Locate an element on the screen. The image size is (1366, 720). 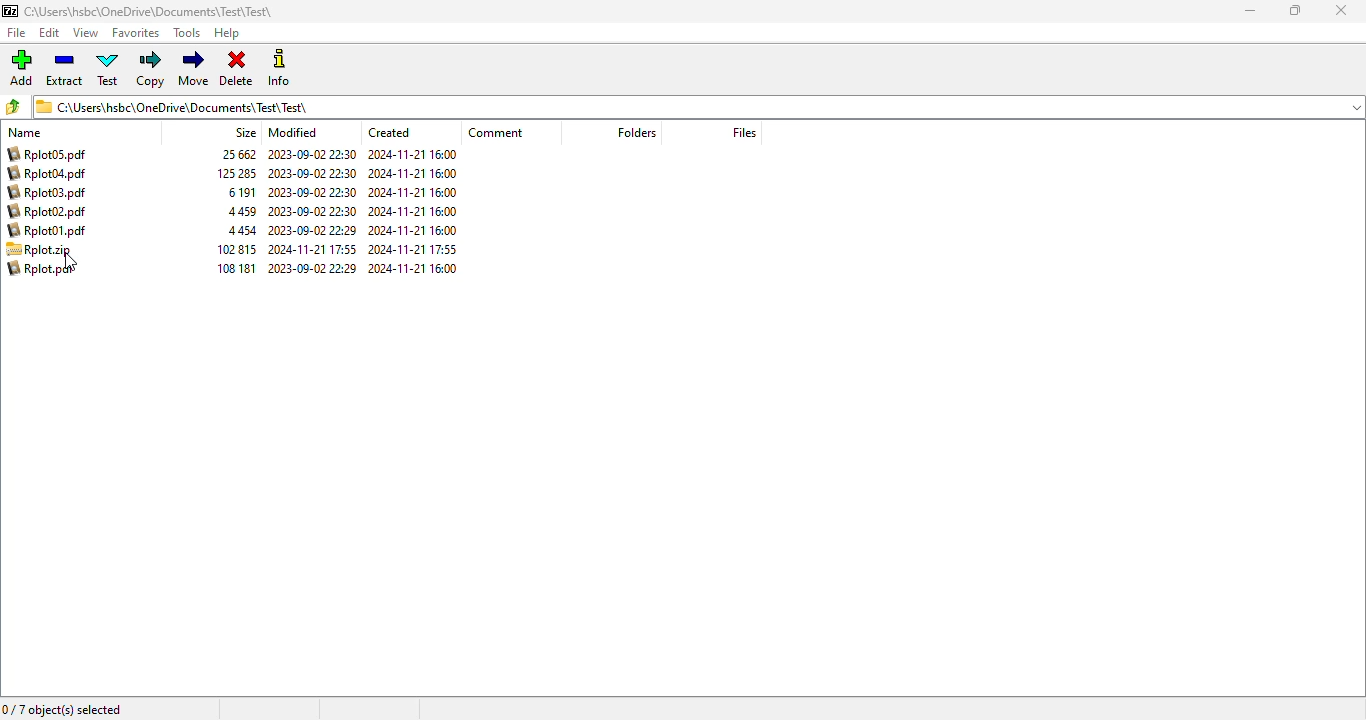
102815 is located at coordinates (239, 249).